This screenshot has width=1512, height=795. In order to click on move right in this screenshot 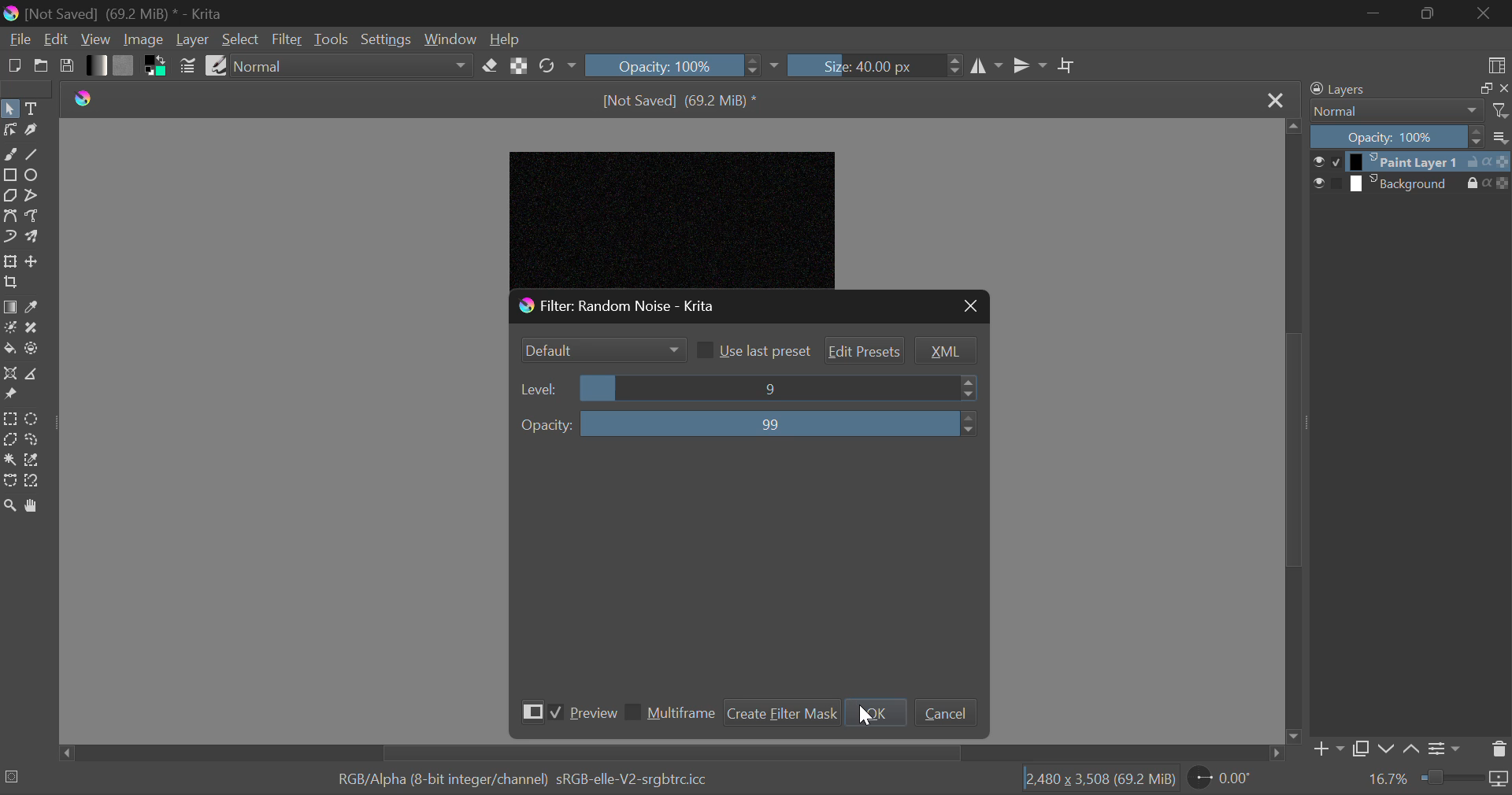, I will do `click(1275, 753)`.